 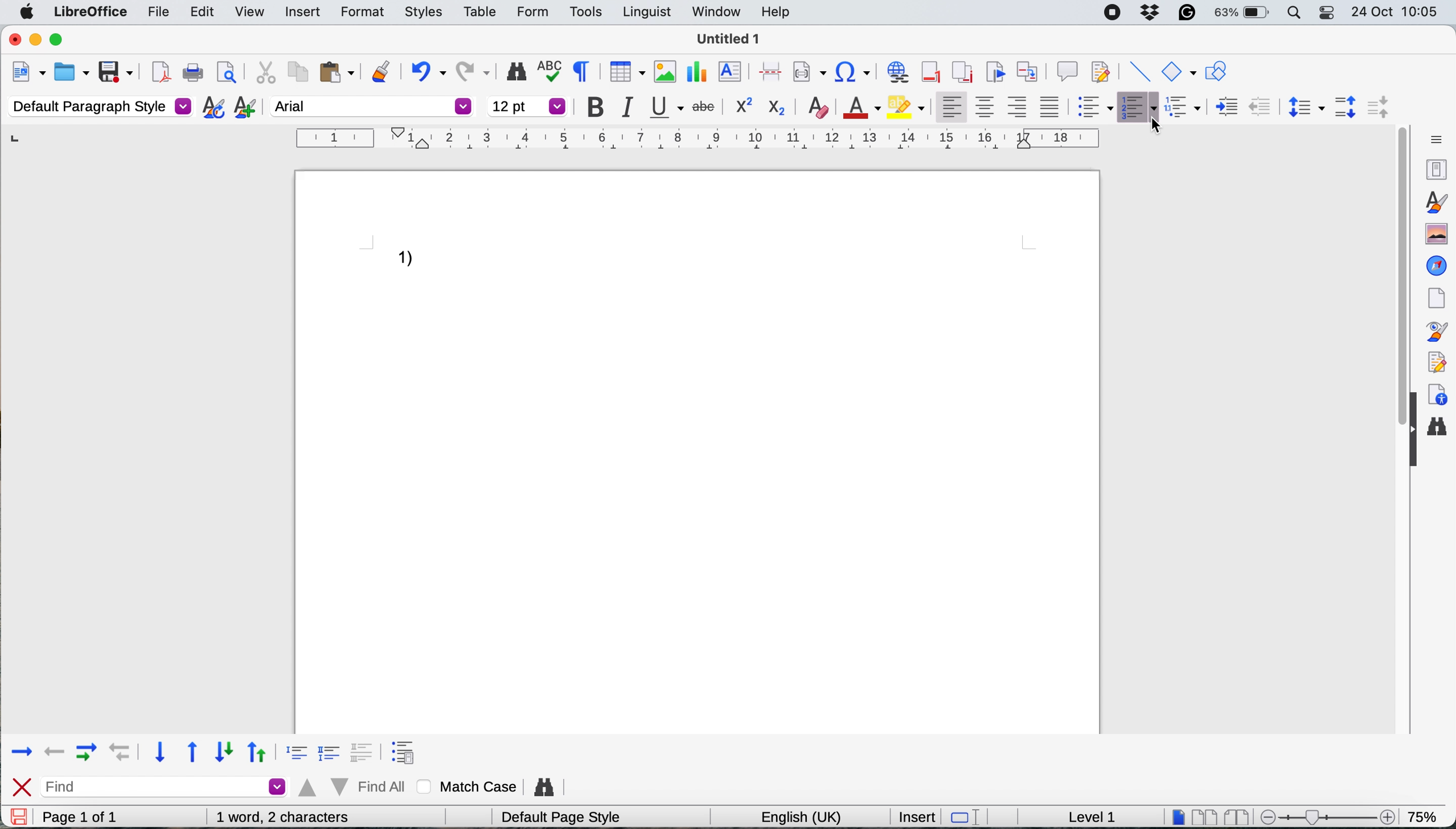 I want to click on inesrt chart, so click(x=698, y=72).